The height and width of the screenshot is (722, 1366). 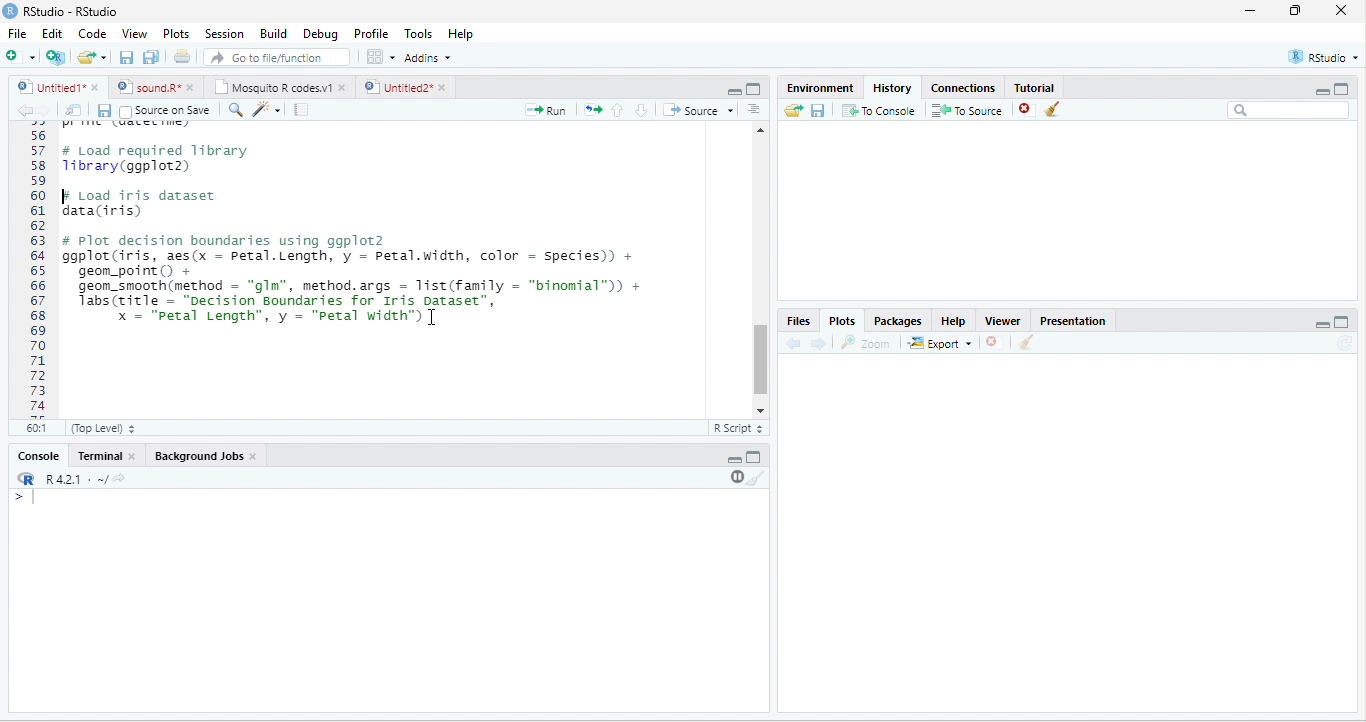 What do you see at coordinates (1324, 57) in the screenshot?
I see `RStudio` at bounding box center [1324, 57].